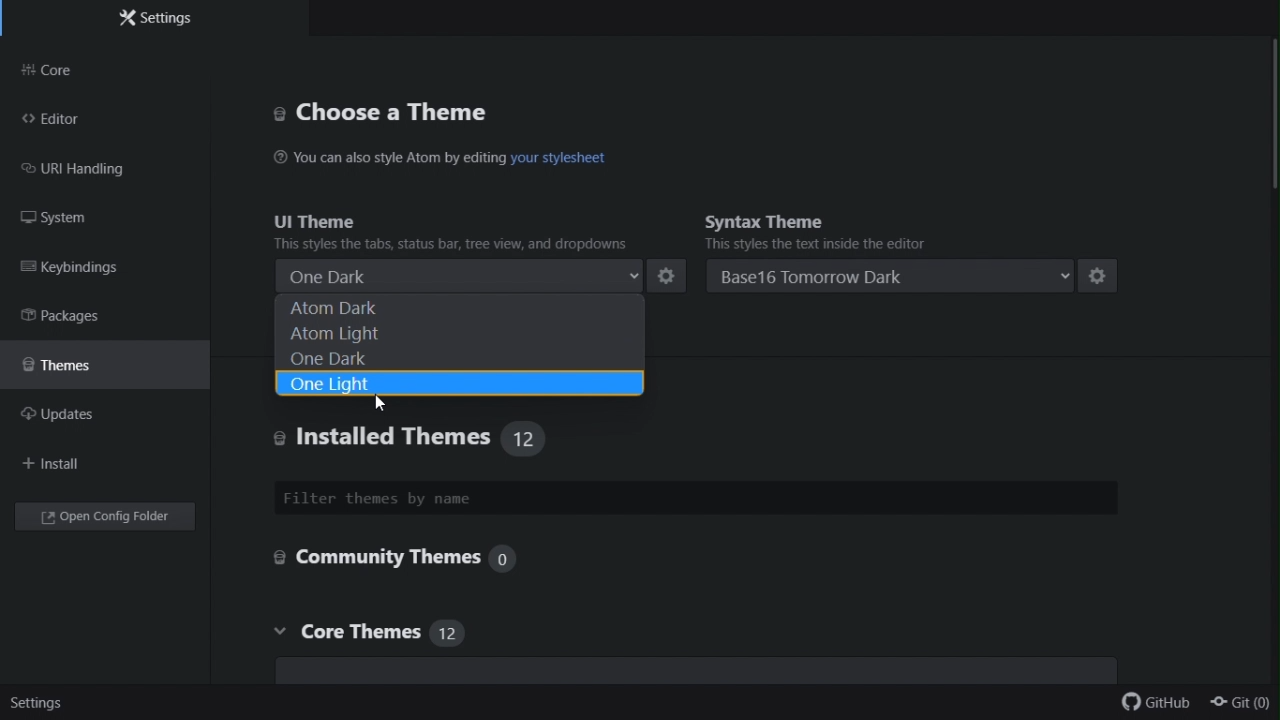 The height and width of the screenshot is (720, 1280). What do you see at coordinates (1241, 705) in the screenshot?
I see `git(0)` at bounding box center [1241, 705].